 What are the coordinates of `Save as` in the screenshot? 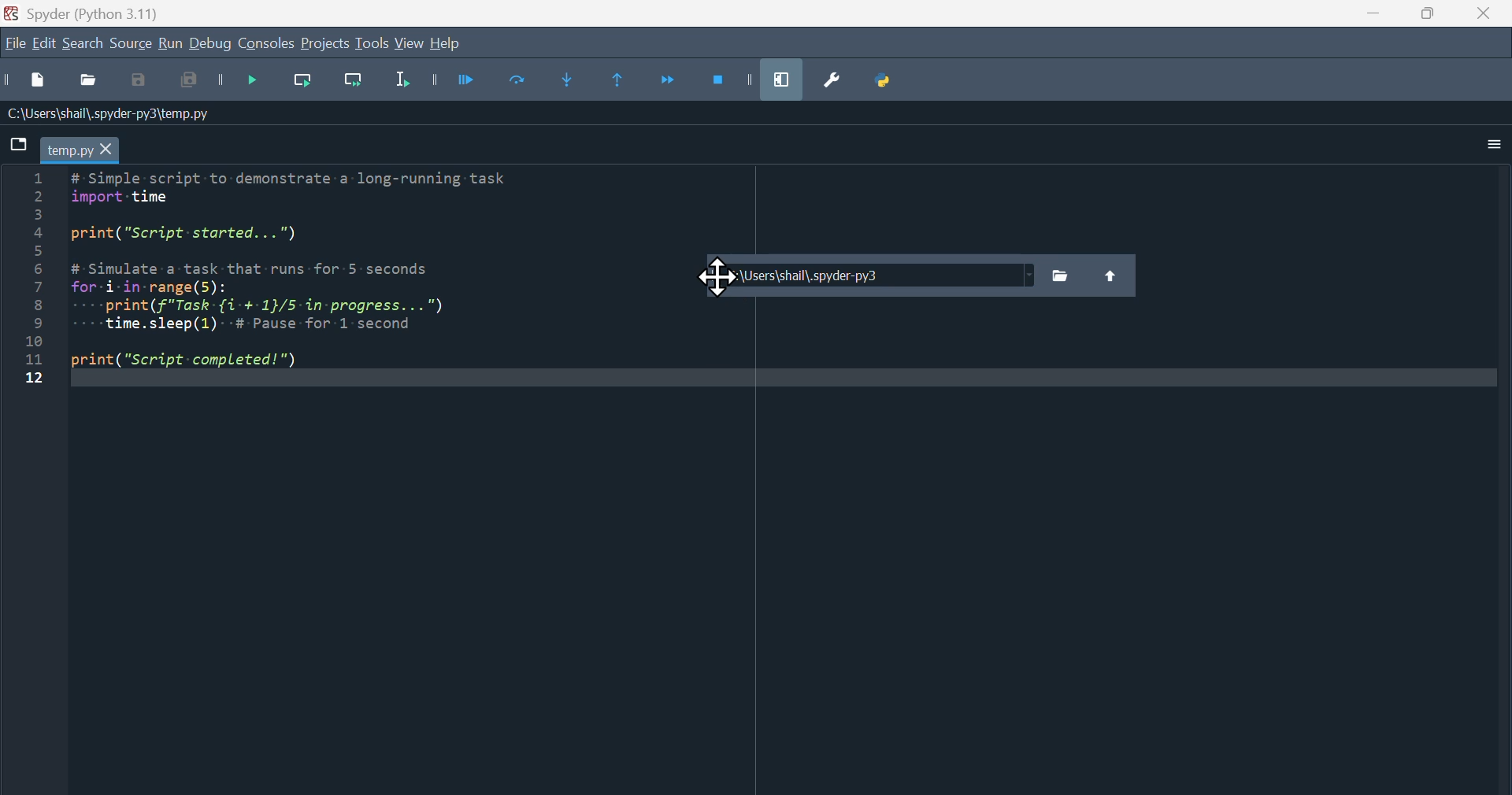 It's located at (143, 83).